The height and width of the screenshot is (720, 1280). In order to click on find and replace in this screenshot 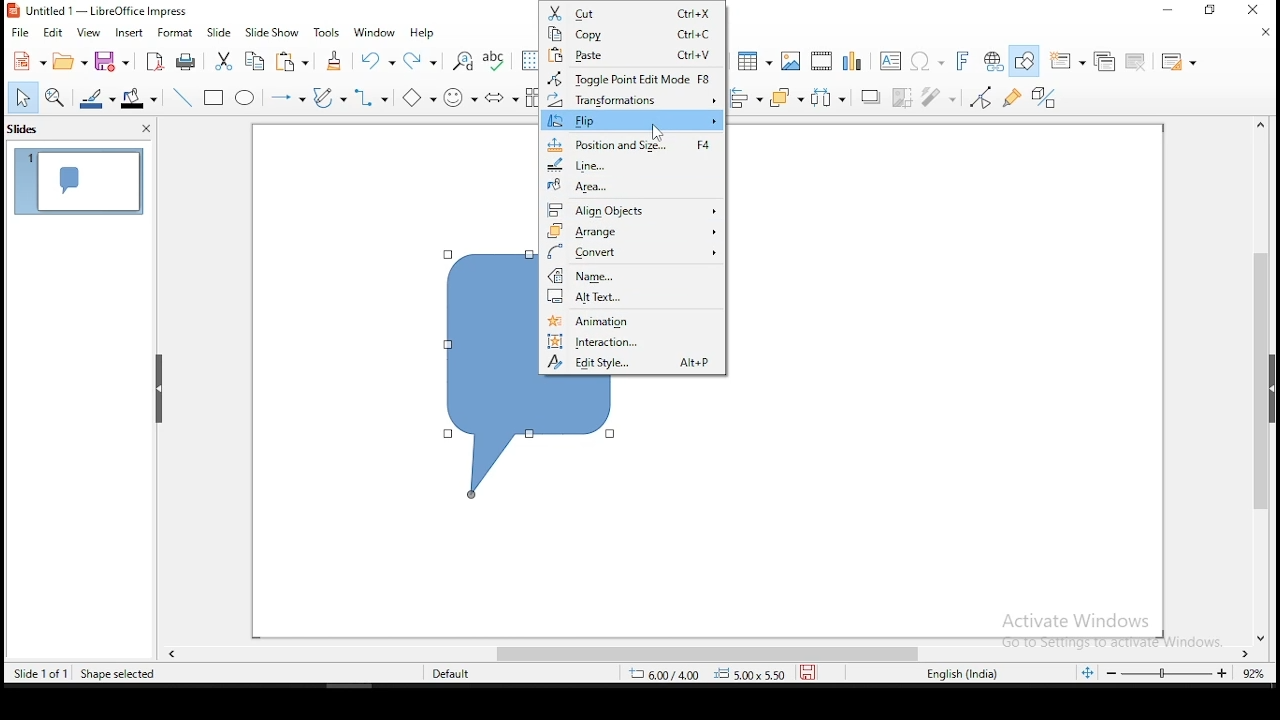, I will do `click(464, 61)`.